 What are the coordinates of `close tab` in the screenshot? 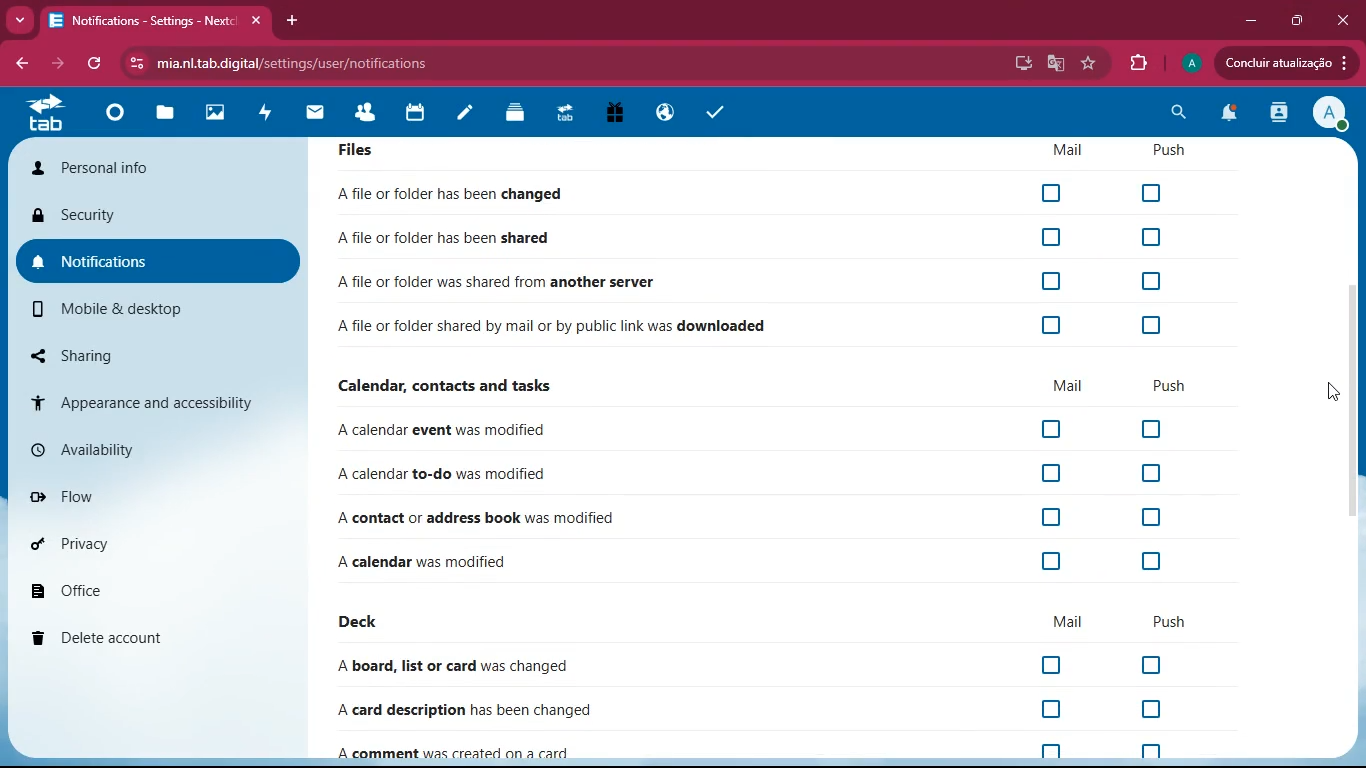 It's located at (258, 20).